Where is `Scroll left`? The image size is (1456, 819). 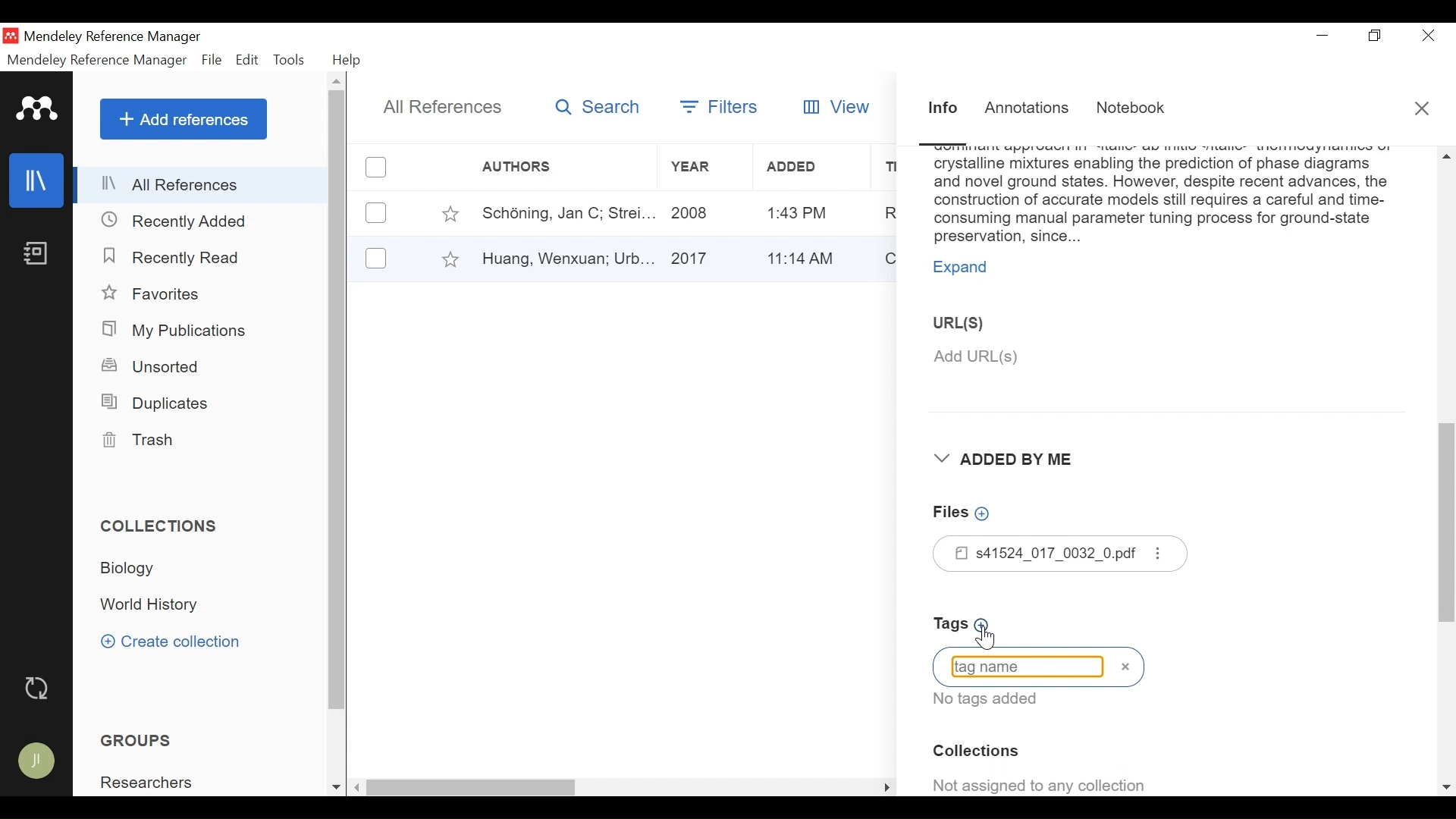
Scroll left is located at coordinates (358, 787).